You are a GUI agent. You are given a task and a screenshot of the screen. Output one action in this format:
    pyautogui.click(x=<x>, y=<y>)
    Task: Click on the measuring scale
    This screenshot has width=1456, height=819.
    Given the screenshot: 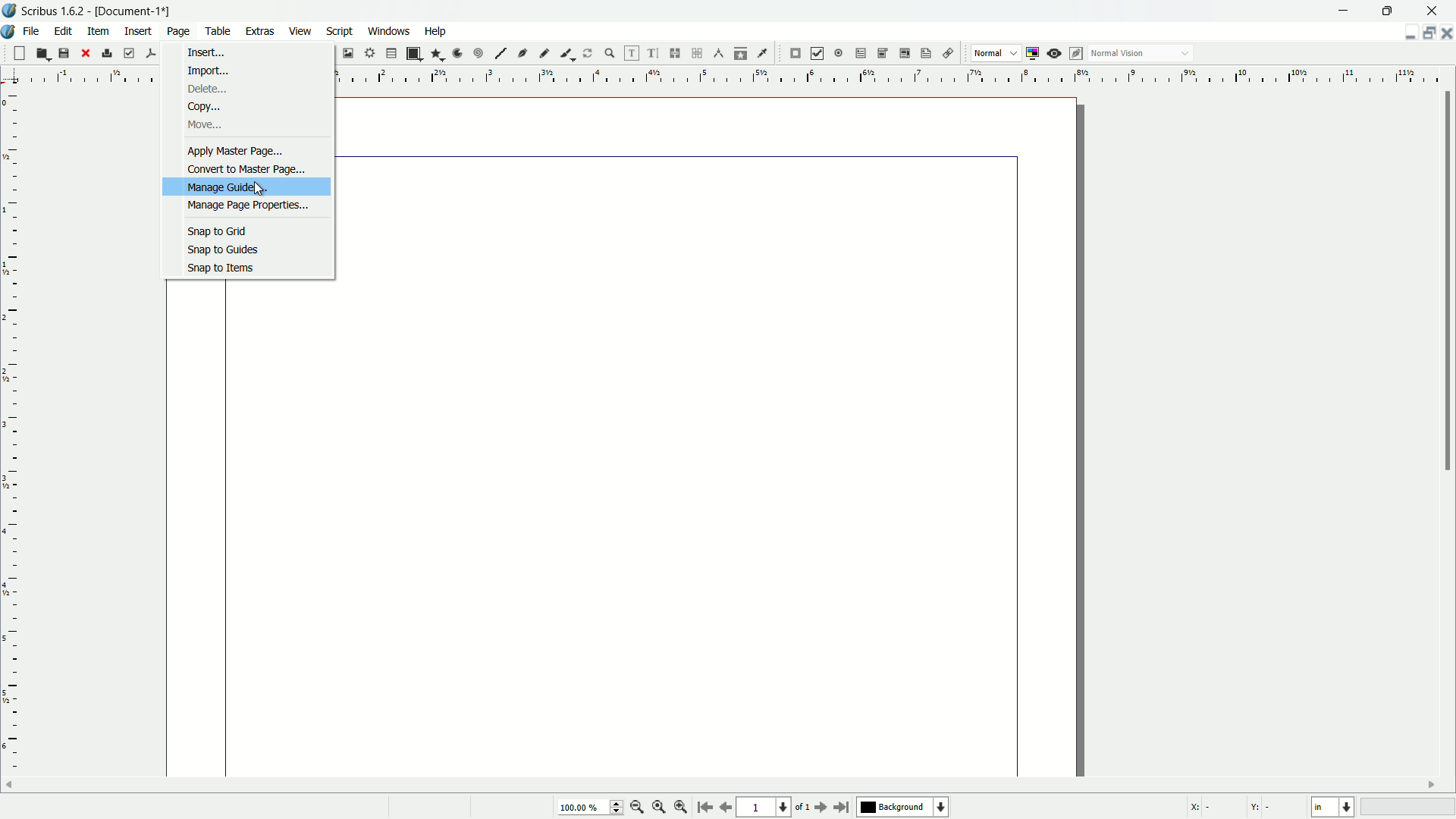 What is the action you would take?
    pyautogui.click(x=11, y=445)
    